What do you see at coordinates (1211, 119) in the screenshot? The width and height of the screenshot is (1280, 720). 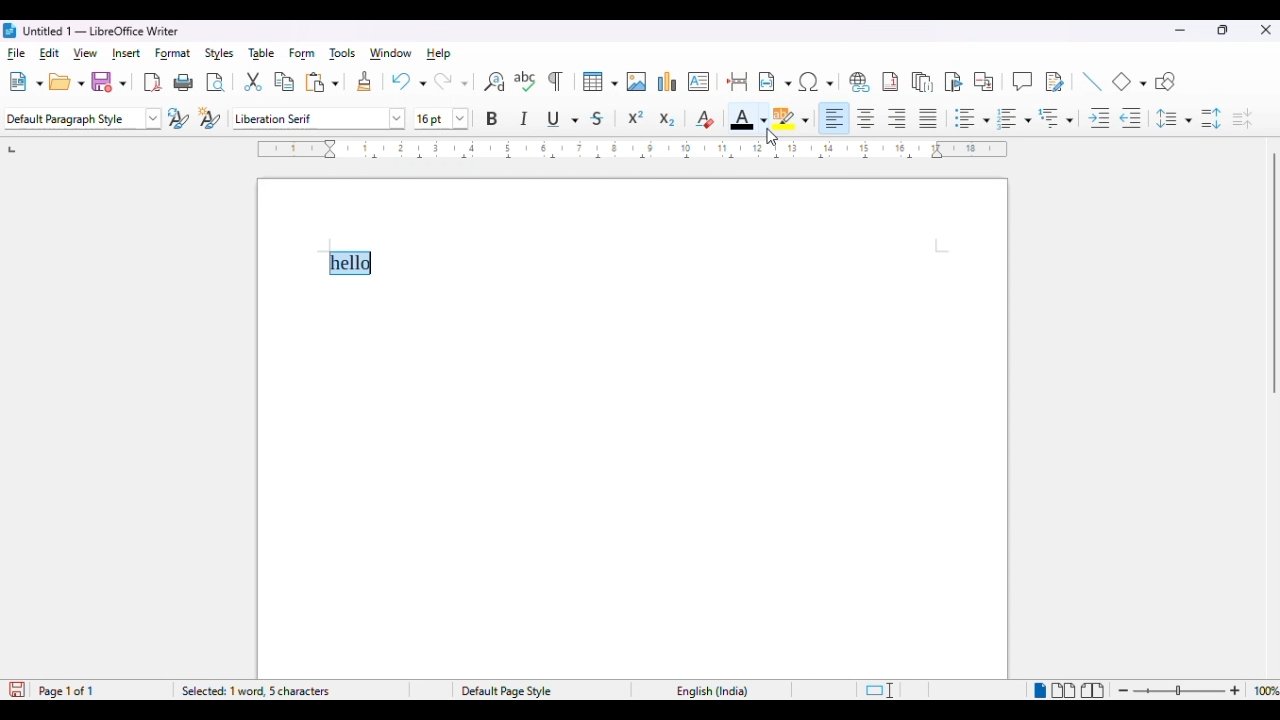 I see `increase paragraph spacing` at bounding box center [1211, 119].